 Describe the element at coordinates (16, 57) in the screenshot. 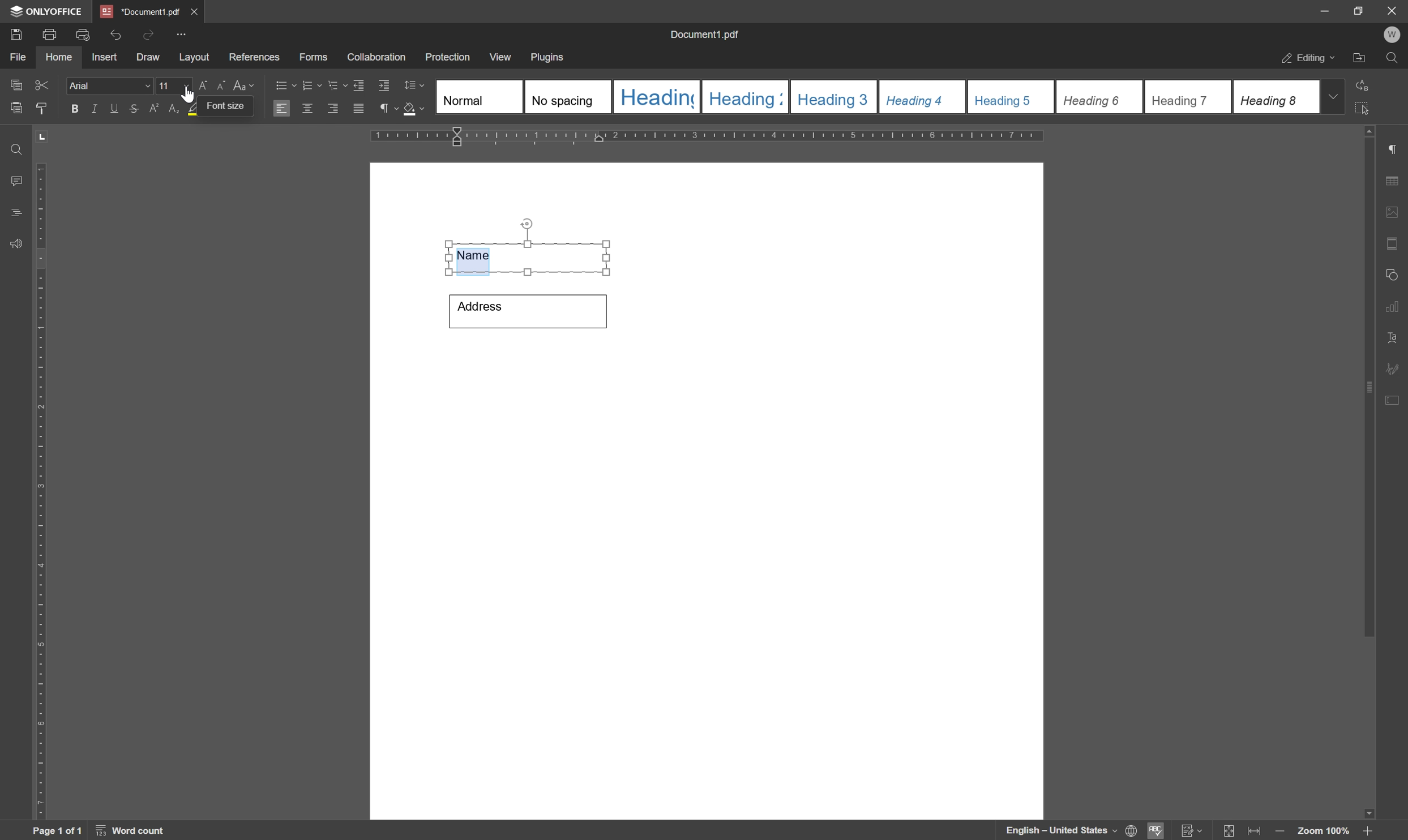

I see `file` at that location.